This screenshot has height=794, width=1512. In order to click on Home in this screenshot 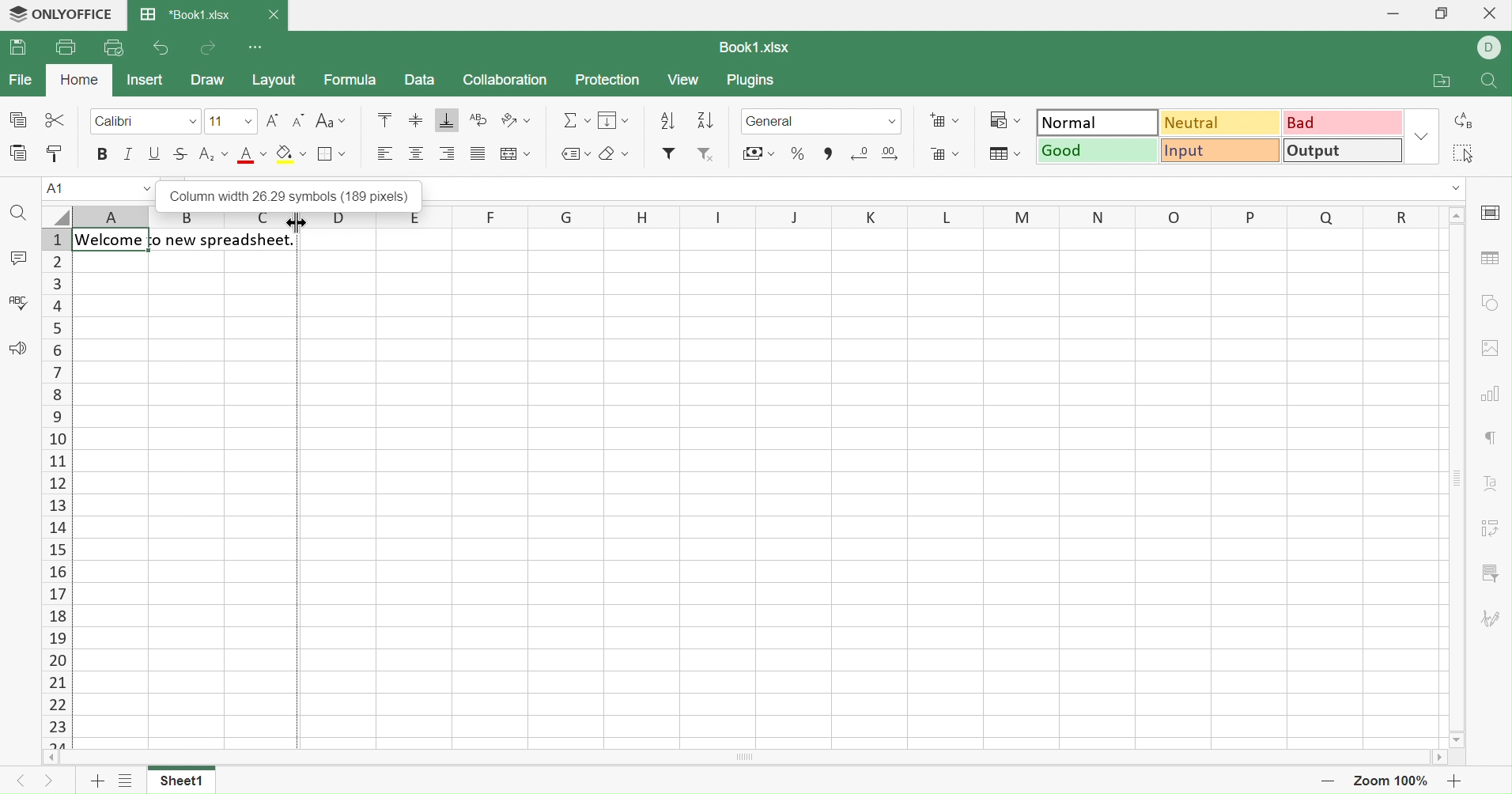, I will do `click(78, 79)`.